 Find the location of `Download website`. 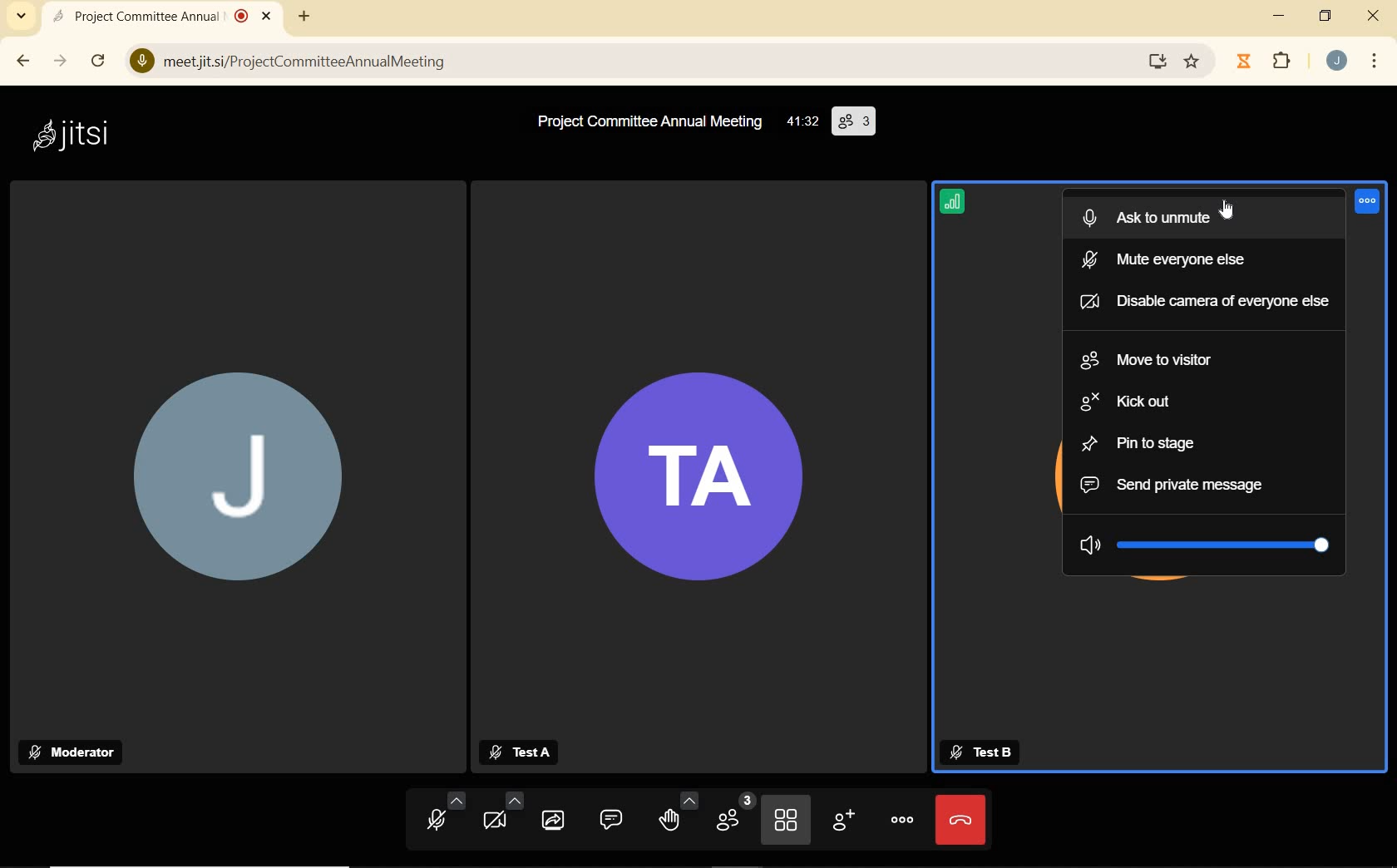

Download website is located at coordinates (1155, 62).